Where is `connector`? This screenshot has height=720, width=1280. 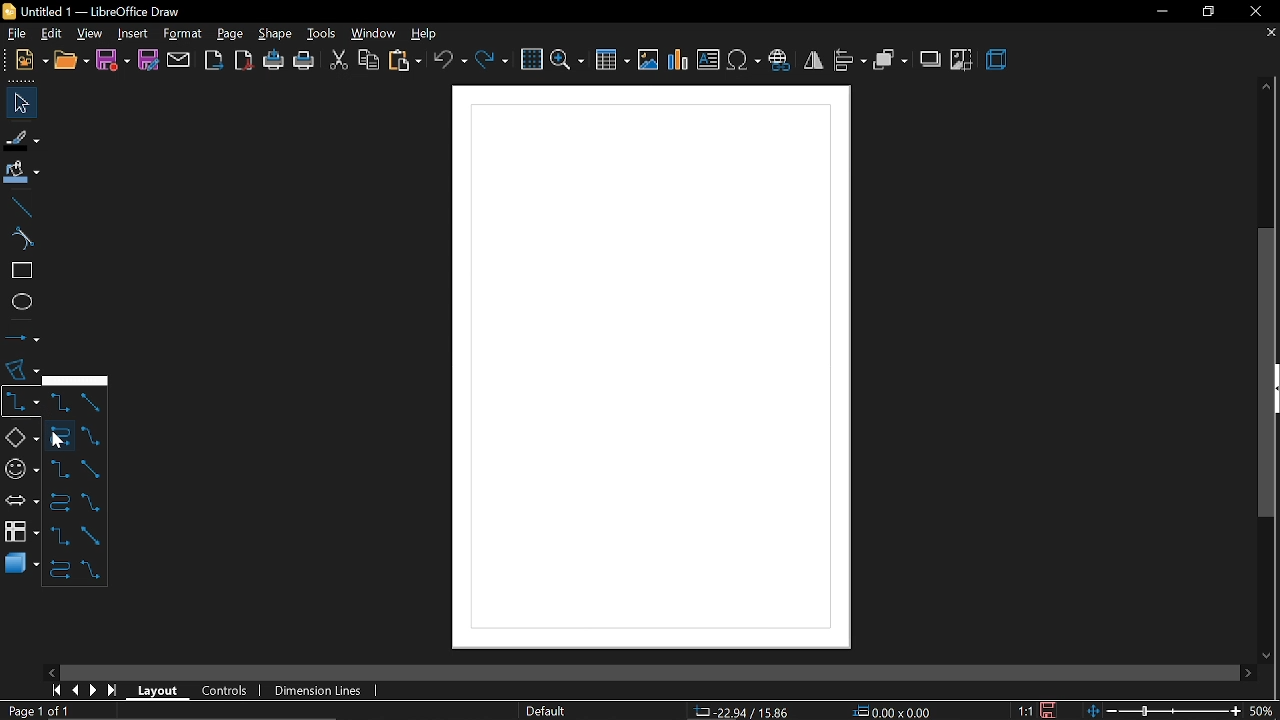
connector is located at coordinates (19, 399).